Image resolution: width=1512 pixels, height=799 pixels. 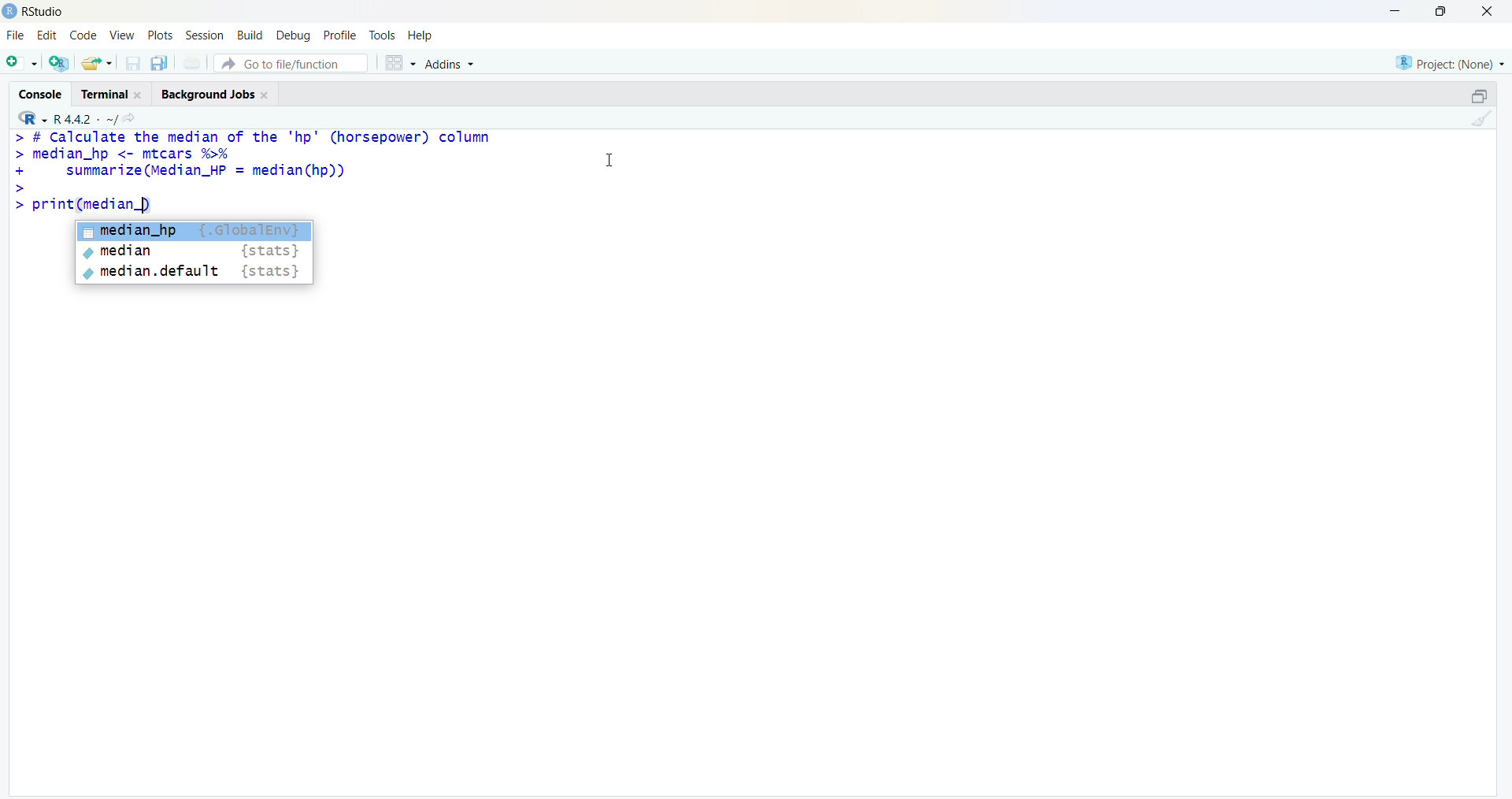 What do you see at coordinates (123, 36) in the screenshot?
I see `view` at bounding box center [123, 36].